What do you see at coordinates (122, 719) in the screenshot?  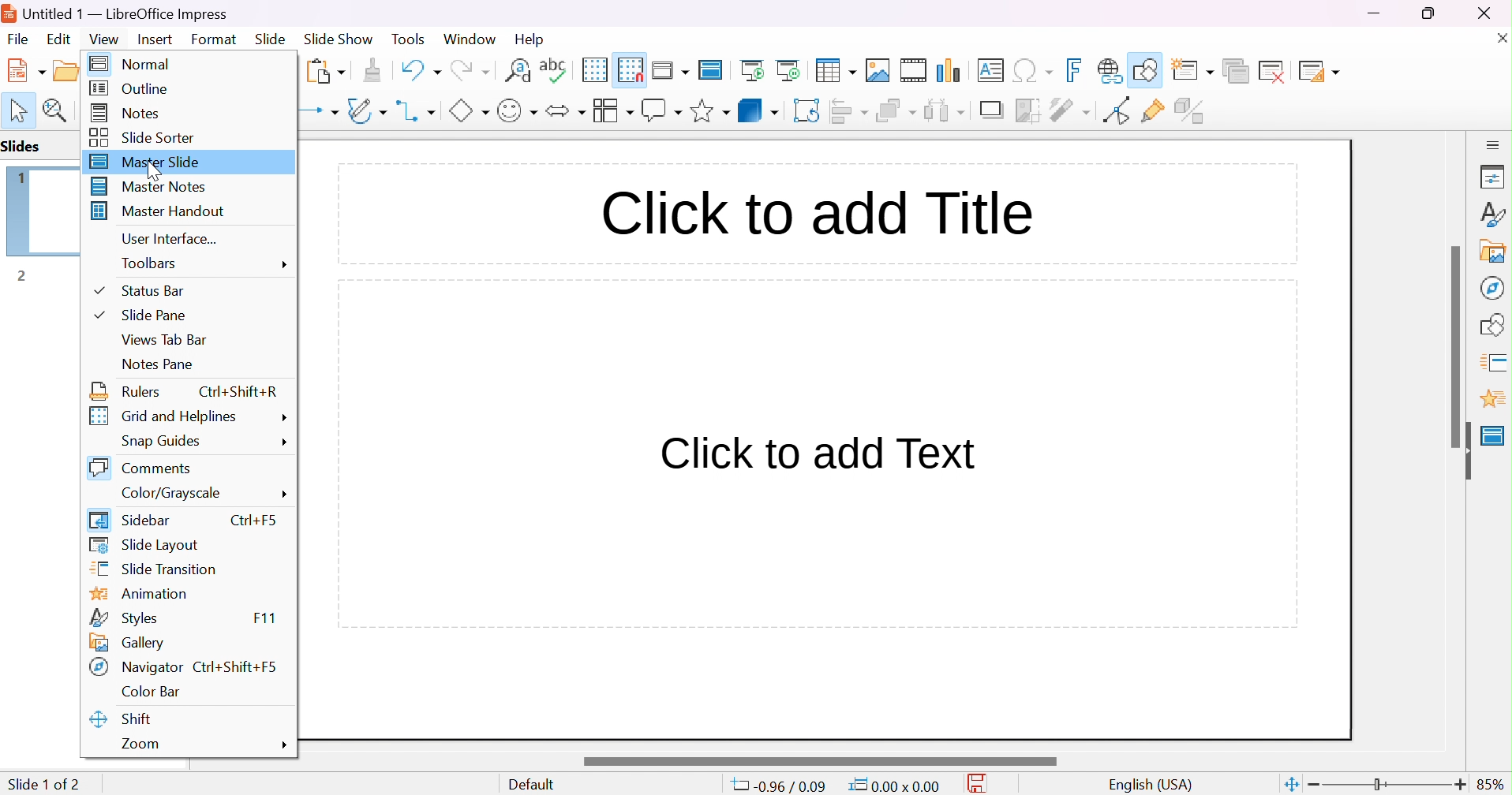 I see `shift` at bounding box center [122, 719].